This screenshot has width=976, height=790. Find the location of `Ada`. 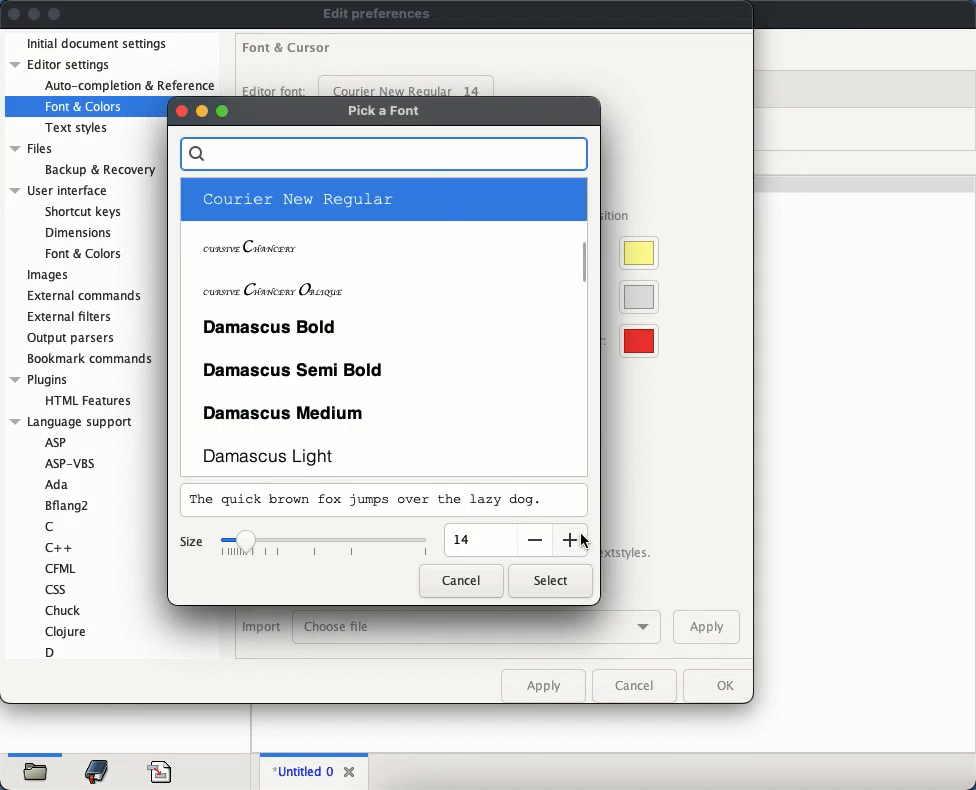

Ada is located at coordinates (56, 486).